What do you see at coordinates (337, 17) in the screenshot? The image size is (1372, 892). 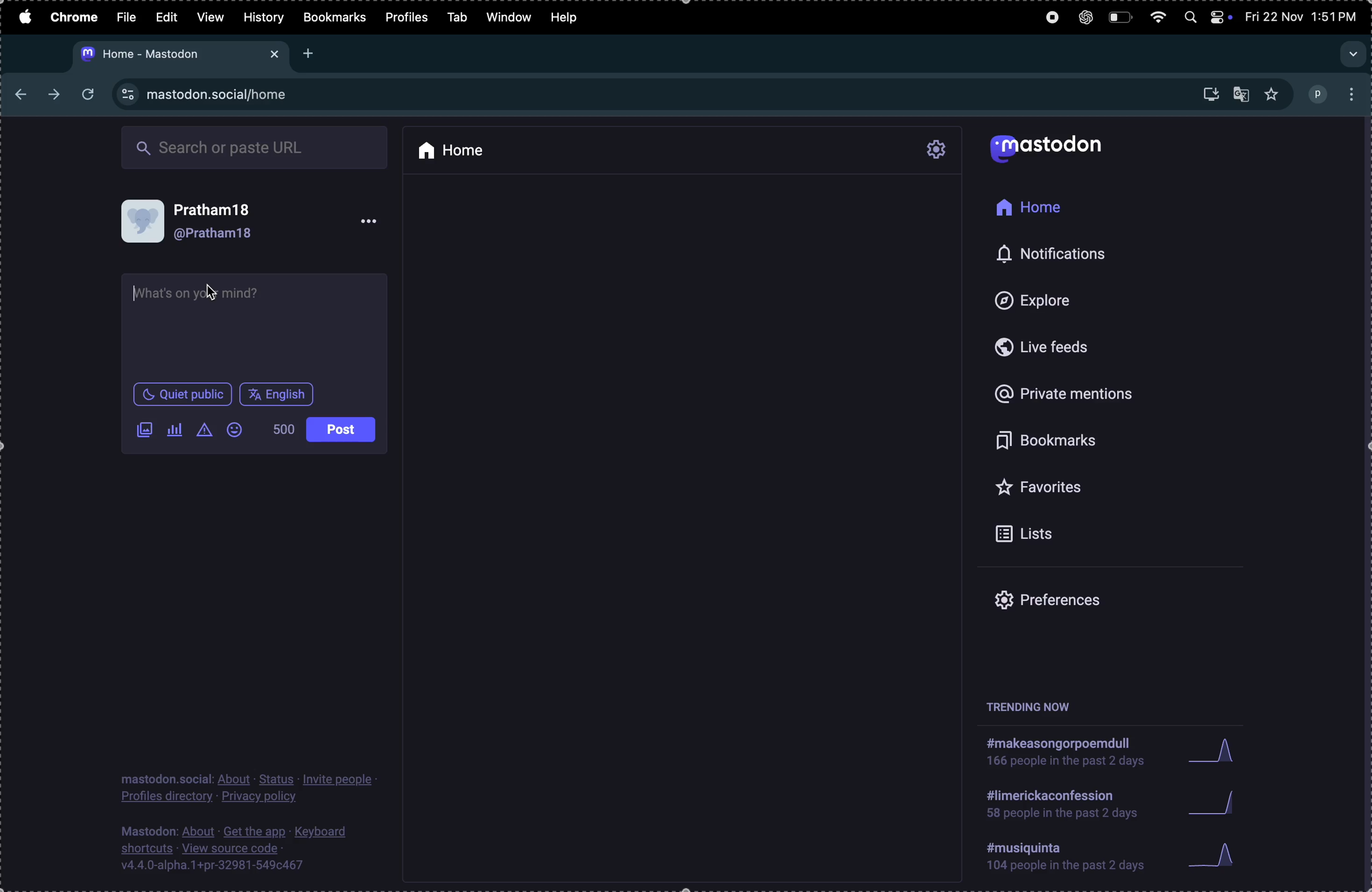 I see `bookmarks` at bounding box center [337, 17].